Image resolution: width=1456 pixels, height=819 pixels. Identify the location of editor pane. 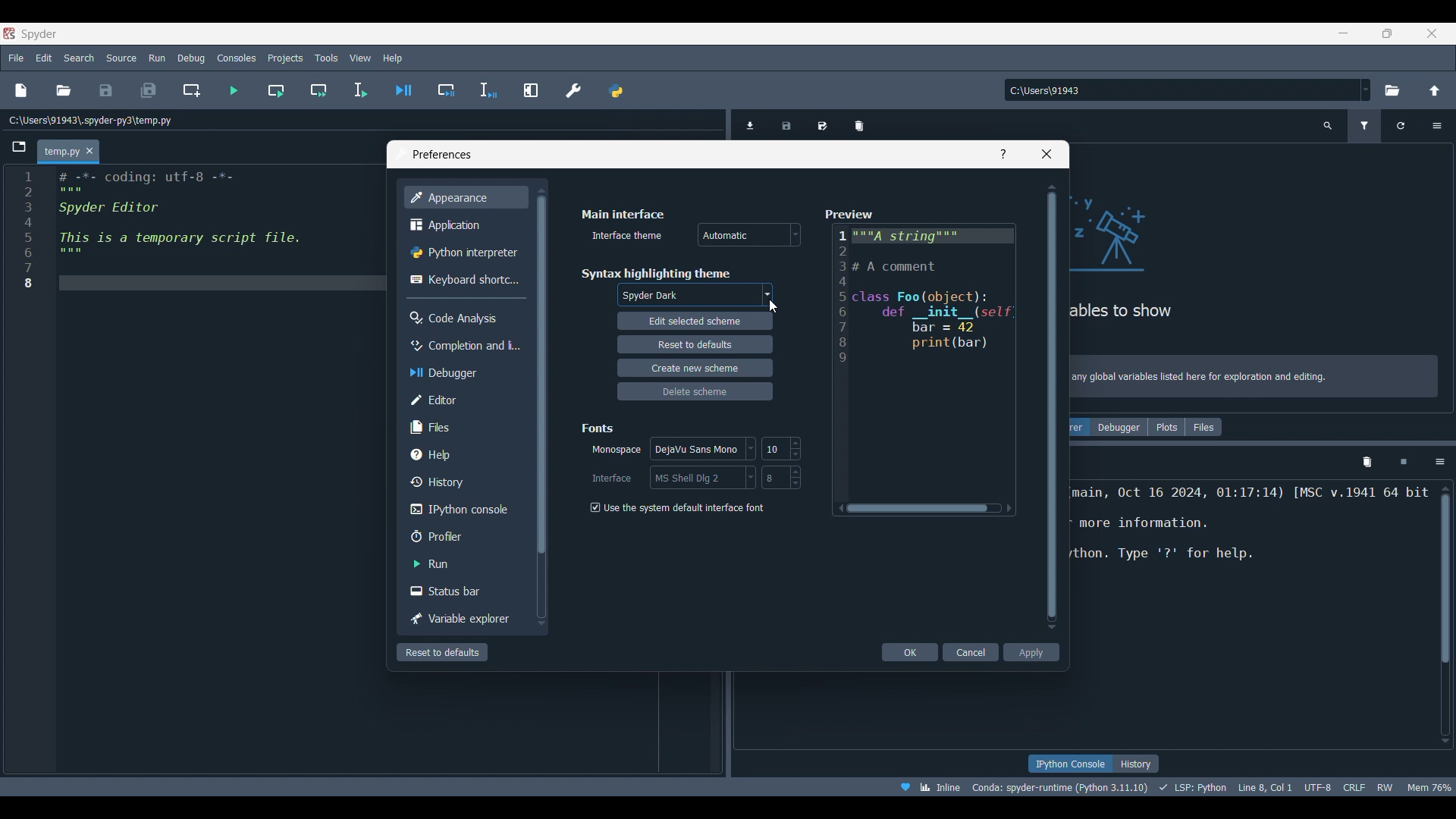
(212, 230).